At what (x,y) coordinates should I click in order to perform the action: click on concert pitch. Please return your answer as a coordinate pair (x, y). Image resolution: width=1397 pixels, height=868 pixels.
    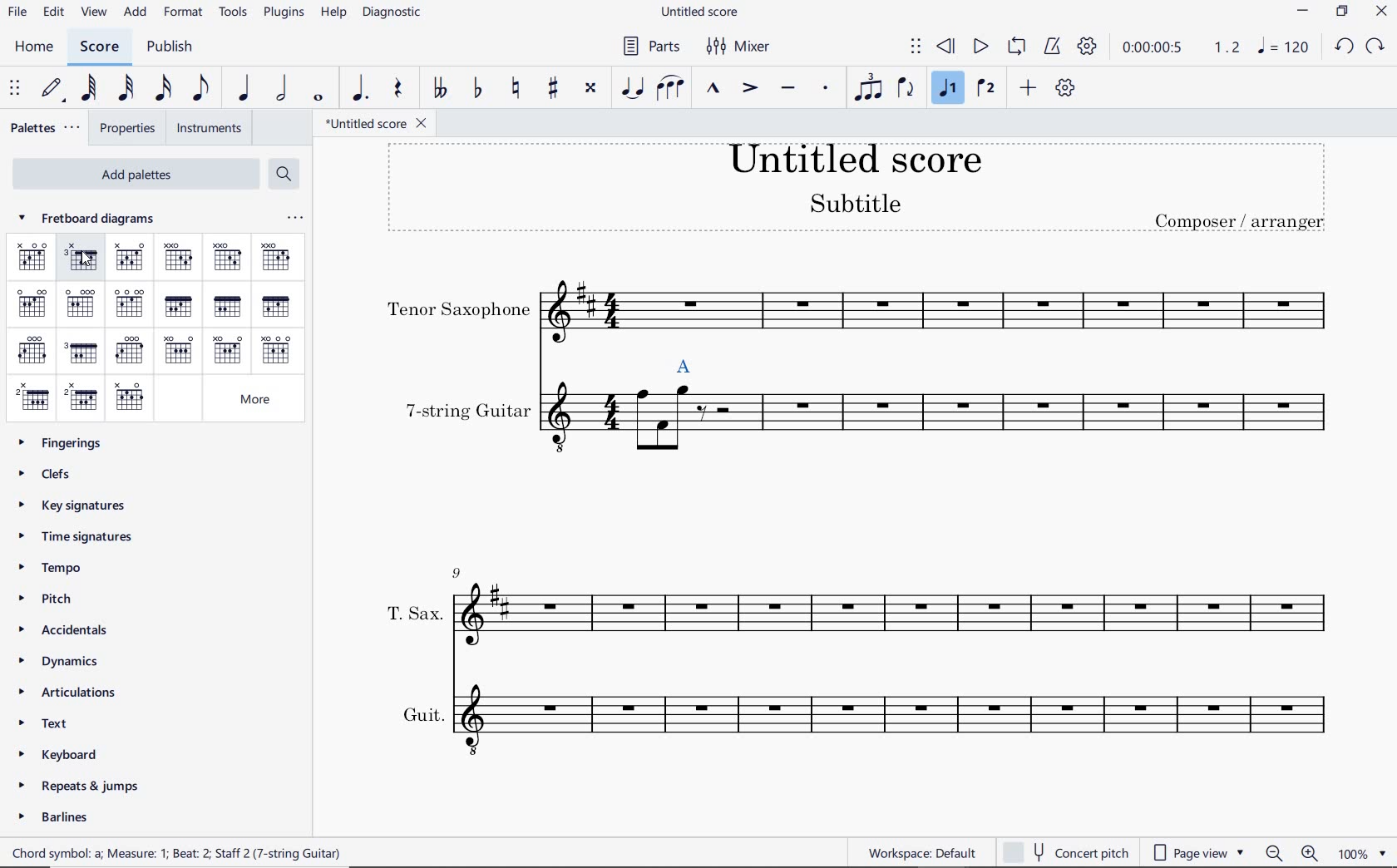
    Looking at the image, I should click on (1067, 851).